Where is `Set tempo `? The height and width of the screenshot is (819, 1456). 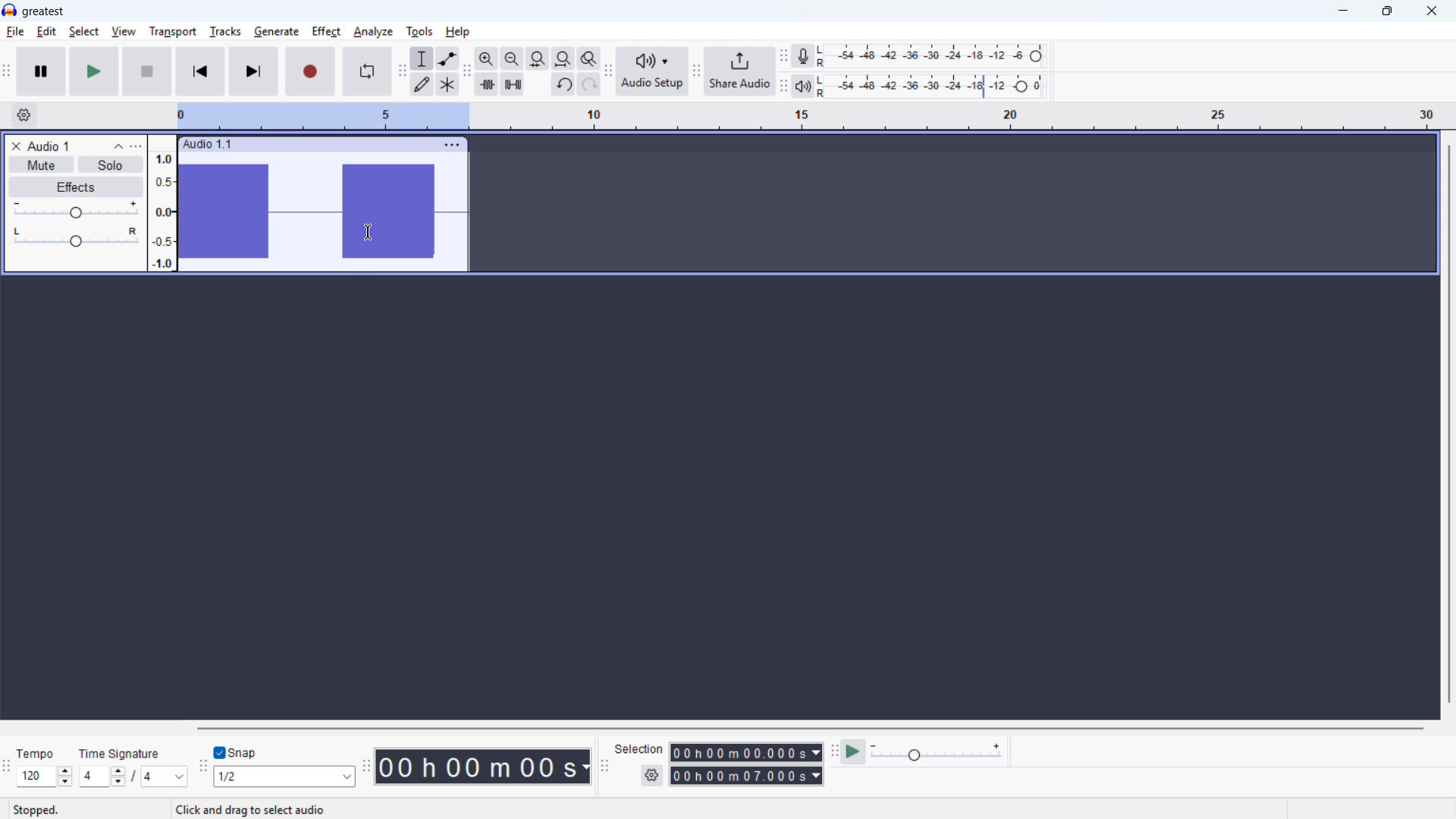
Set tempo  is located at coordinates (45, 776).